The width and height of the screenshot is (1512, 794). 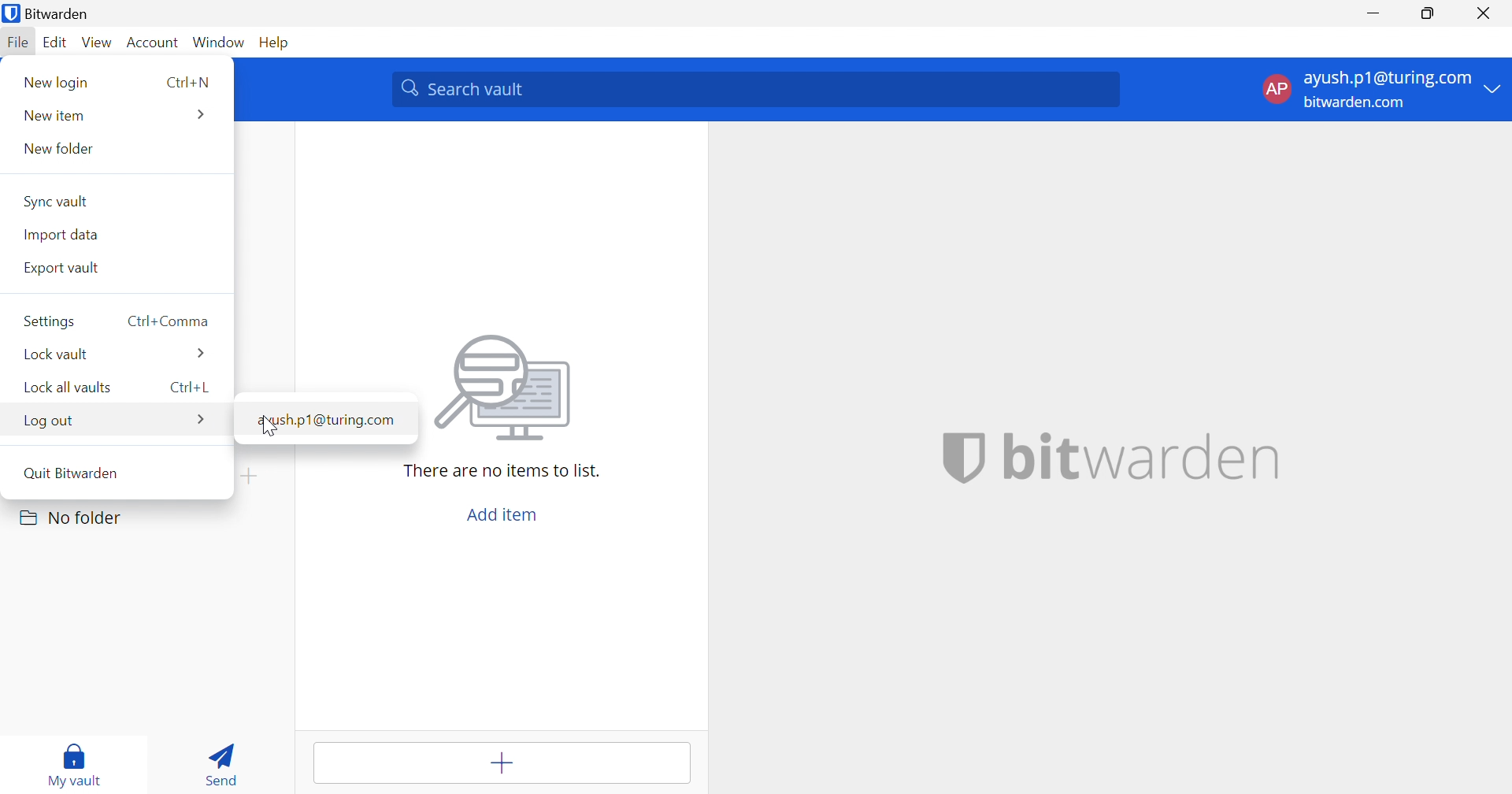 What do you see at coordinates (57, 355) in the screenshot?
I see `Lock vault` at bounding box center [57, 355].